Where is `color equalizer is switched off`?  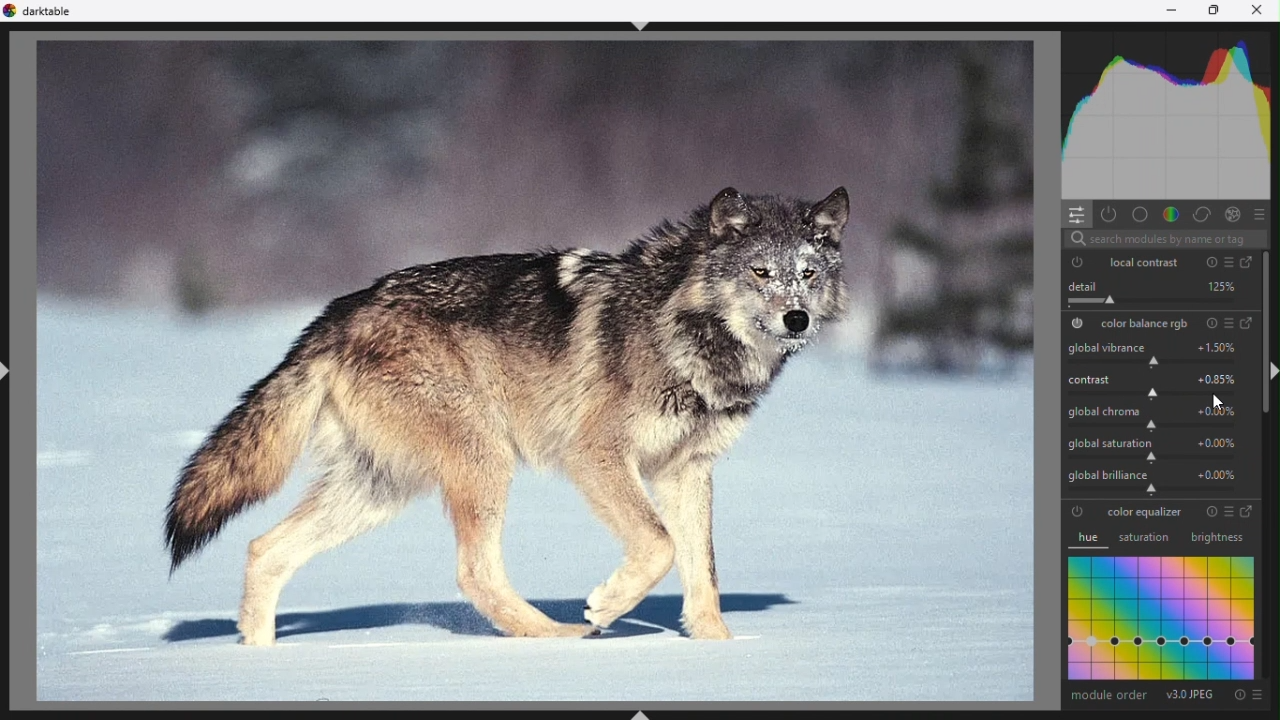 color equalizer is switched off is located at coordinates (1079, 512).